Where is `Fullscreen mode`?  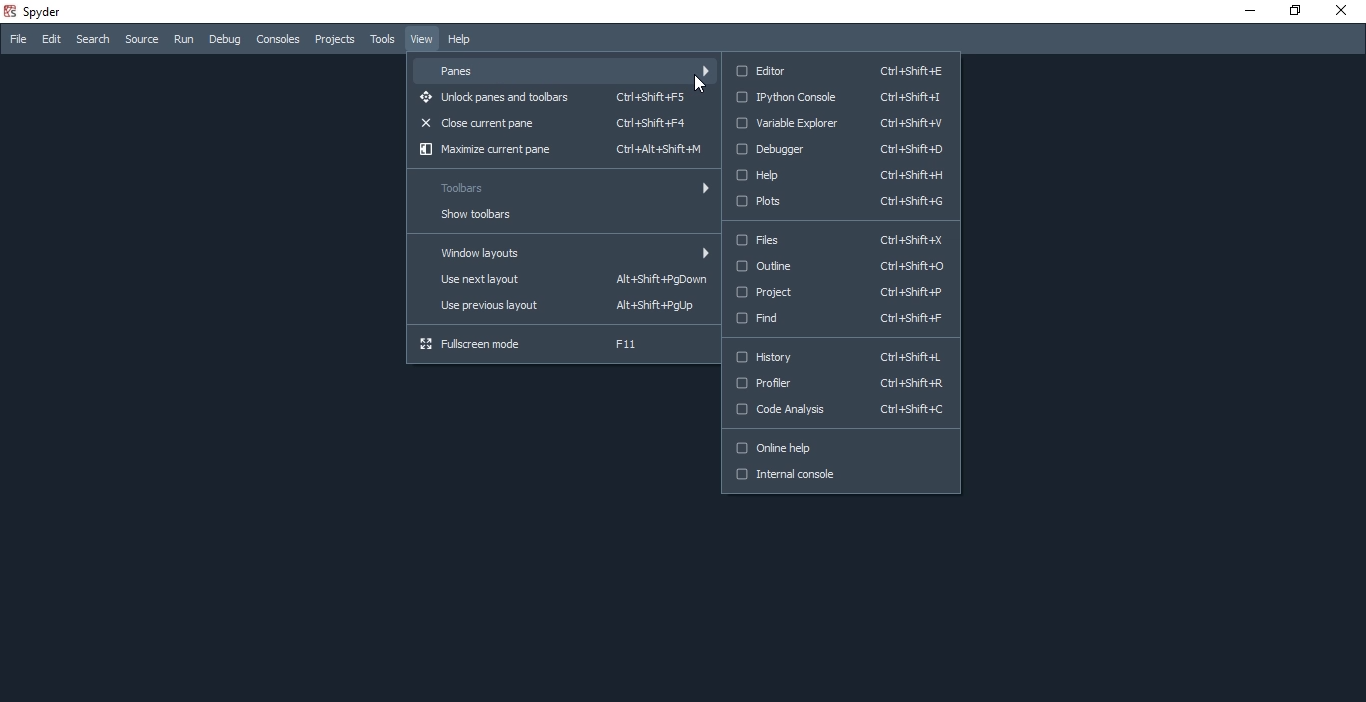
Fullscreen mode is located at coordinates (562, 345).